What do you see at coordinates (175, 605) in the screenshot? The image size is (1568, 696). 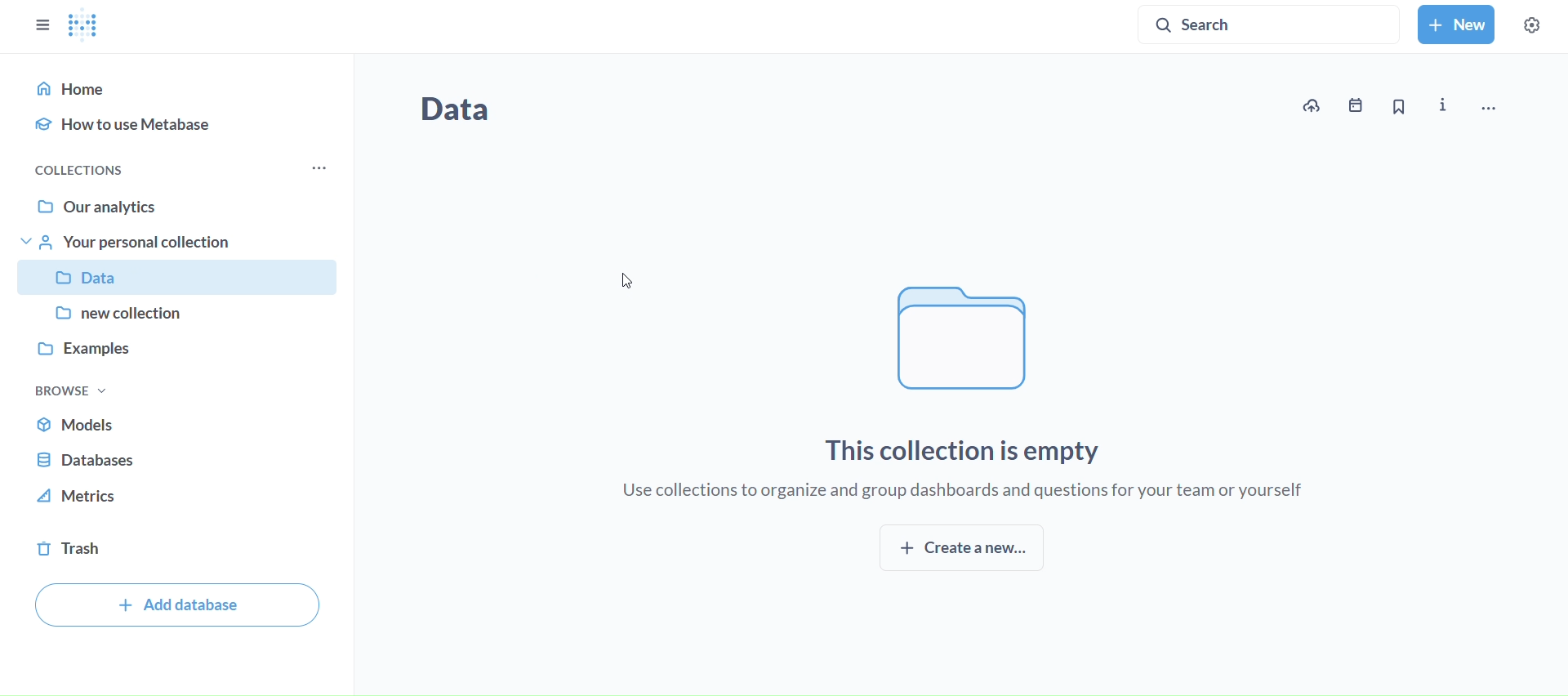 I see `add database` at bounding box center [175, 605].